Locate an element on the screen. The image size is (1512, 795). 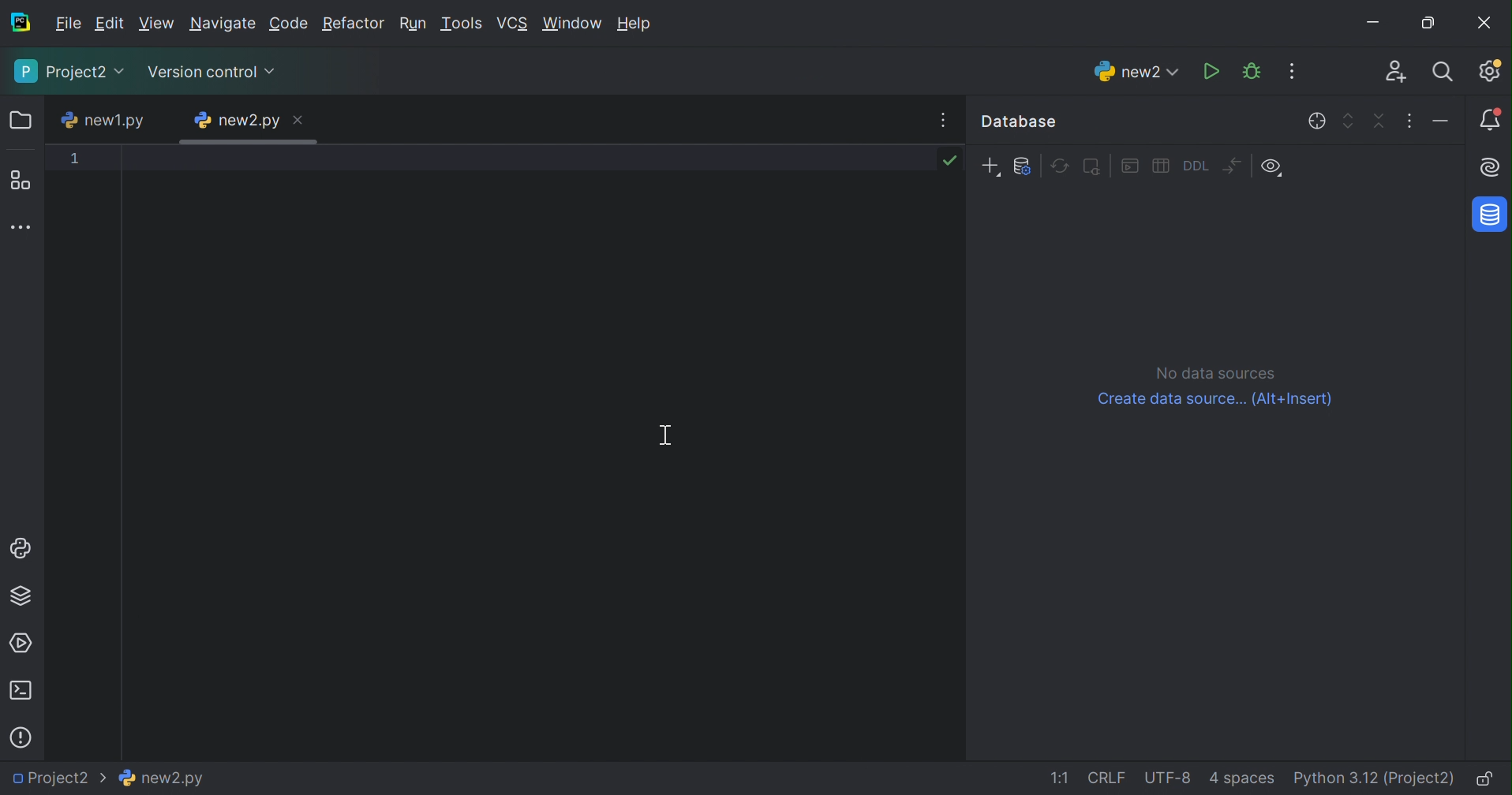
Scroll from editor is located at coordinates (1319, 121).